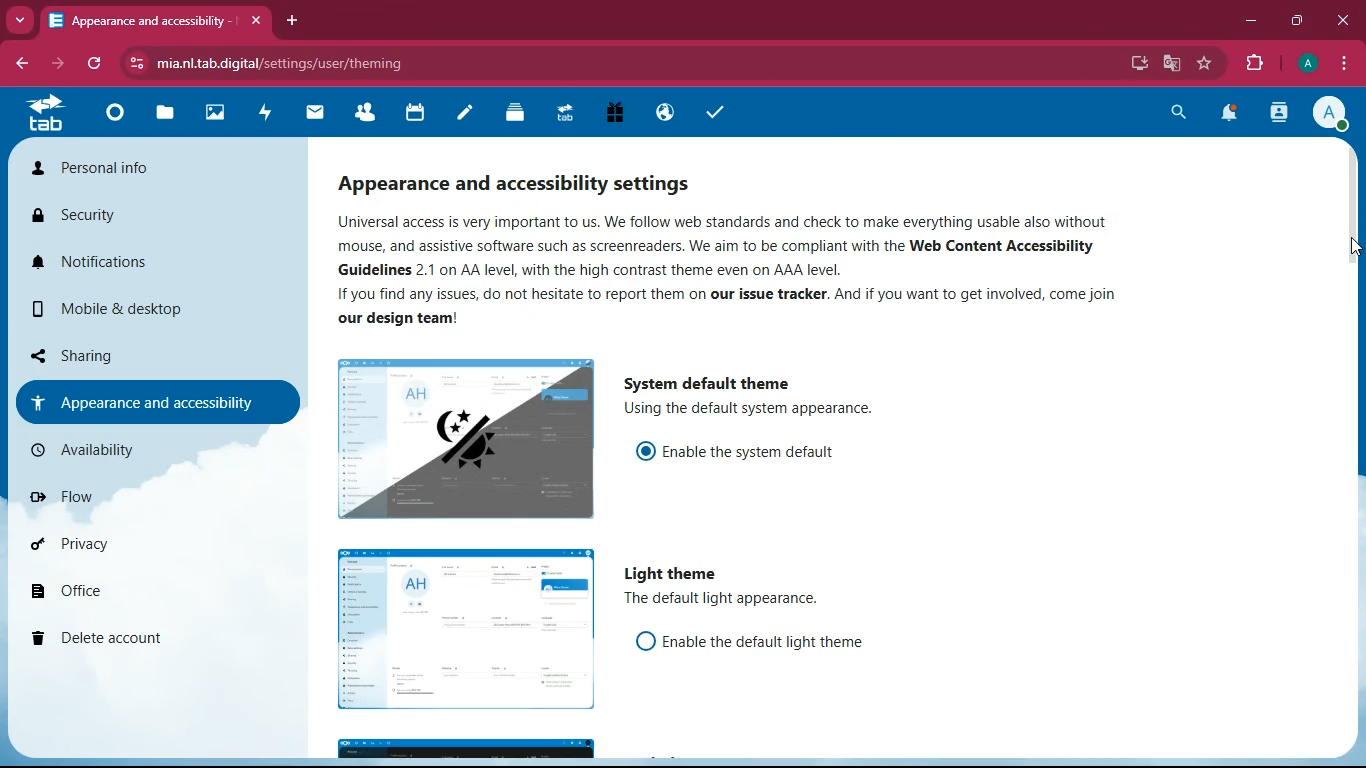 This screenshot has width=1366, height=768. What do you see at coordinates (715, 114) in the screenshot?
I see `tasks` at bounding box center [715, 114].